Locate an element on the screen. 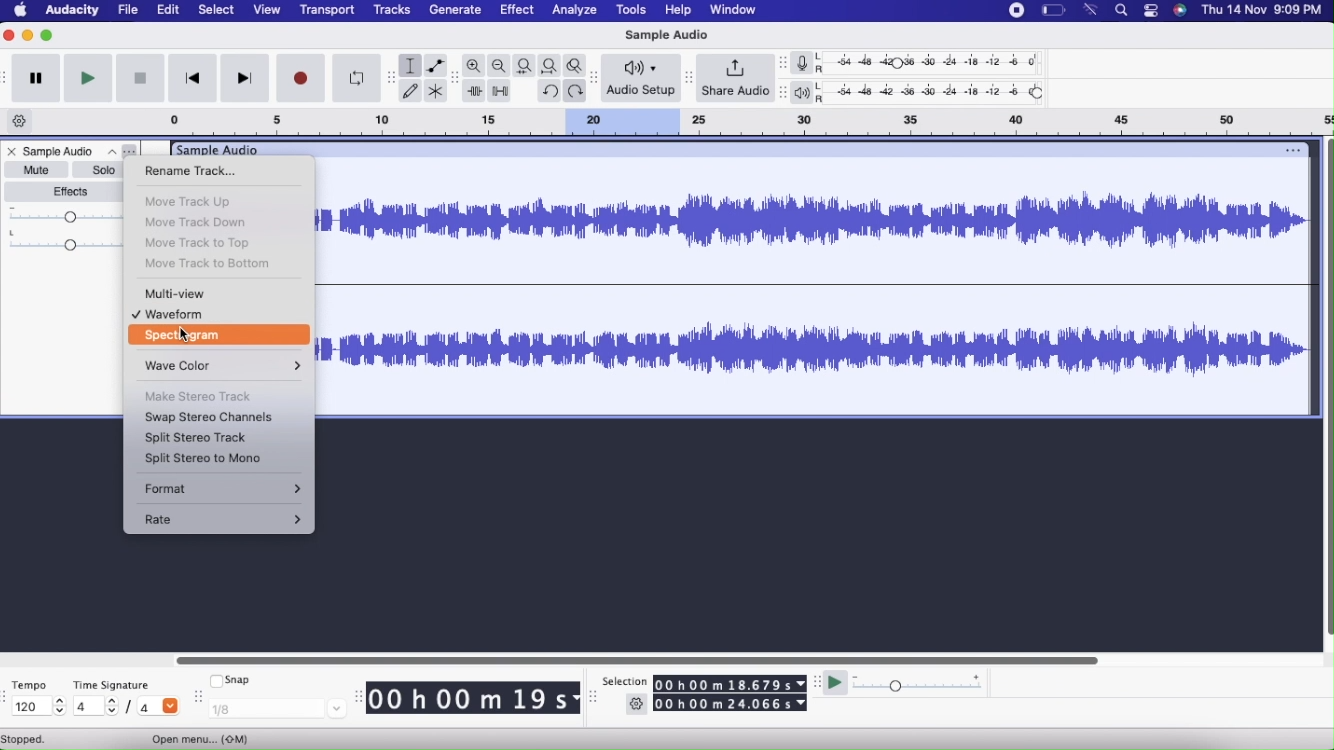  Time Signature is located at coordinates (111, 684).